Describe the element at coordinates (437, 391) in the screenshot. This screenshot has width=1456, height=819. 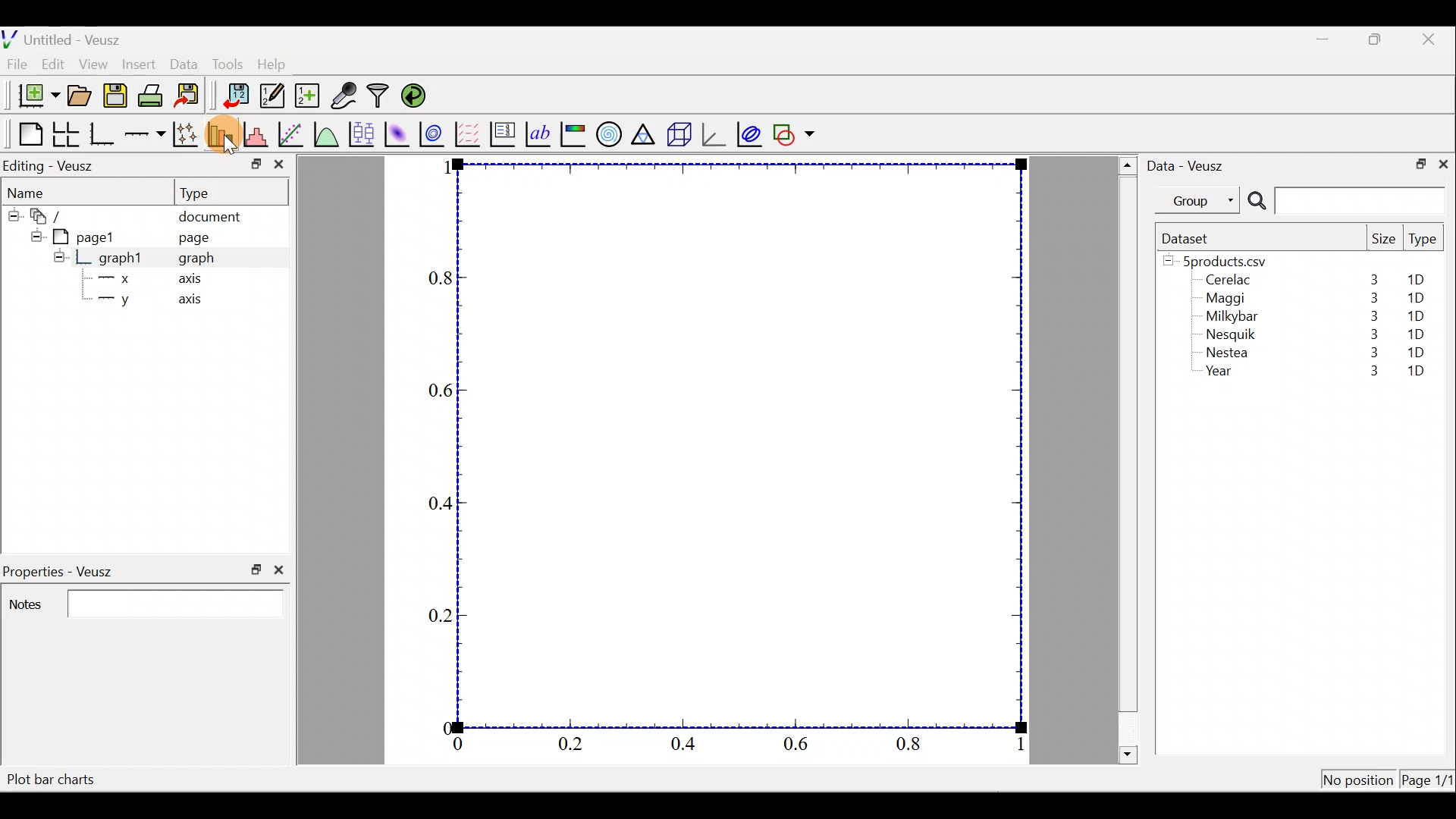
I see `0.6` at that location.